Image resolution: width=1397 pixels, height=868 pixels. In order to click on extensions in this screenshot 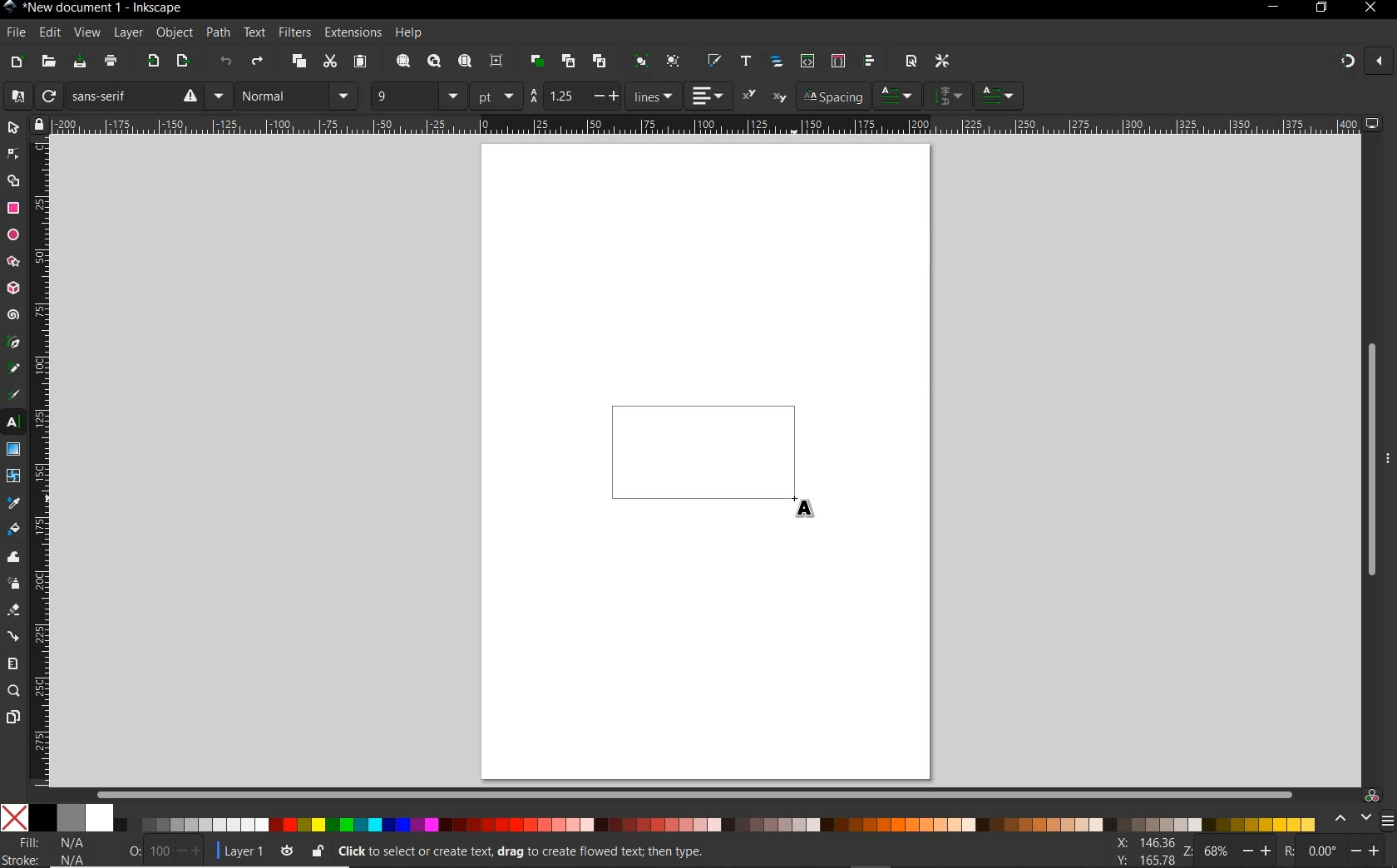, I will do `click(352, 33)`.